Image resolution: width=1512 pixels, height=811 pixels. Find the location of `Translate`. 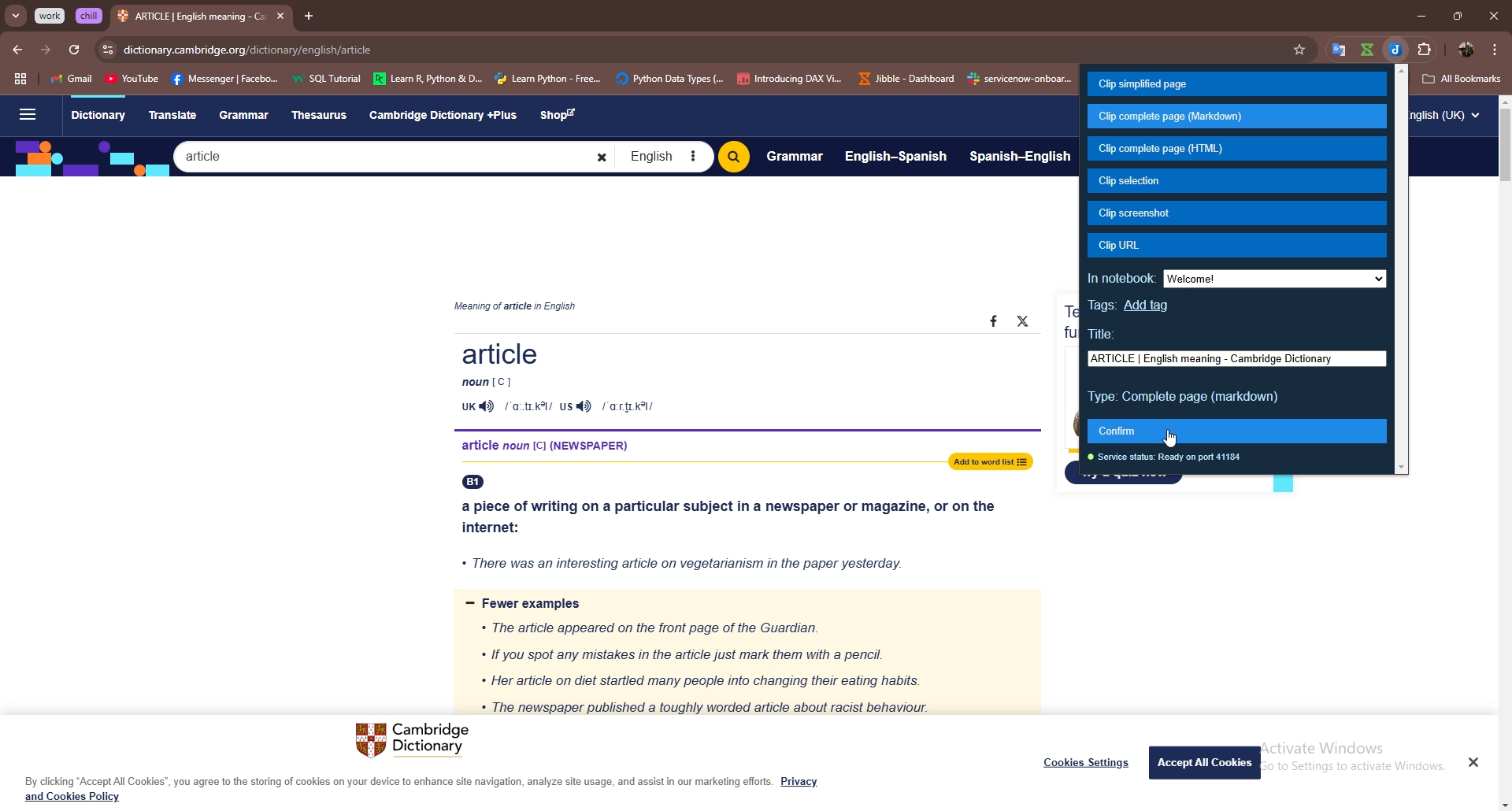

Translate is located at coordinates (172, 113).